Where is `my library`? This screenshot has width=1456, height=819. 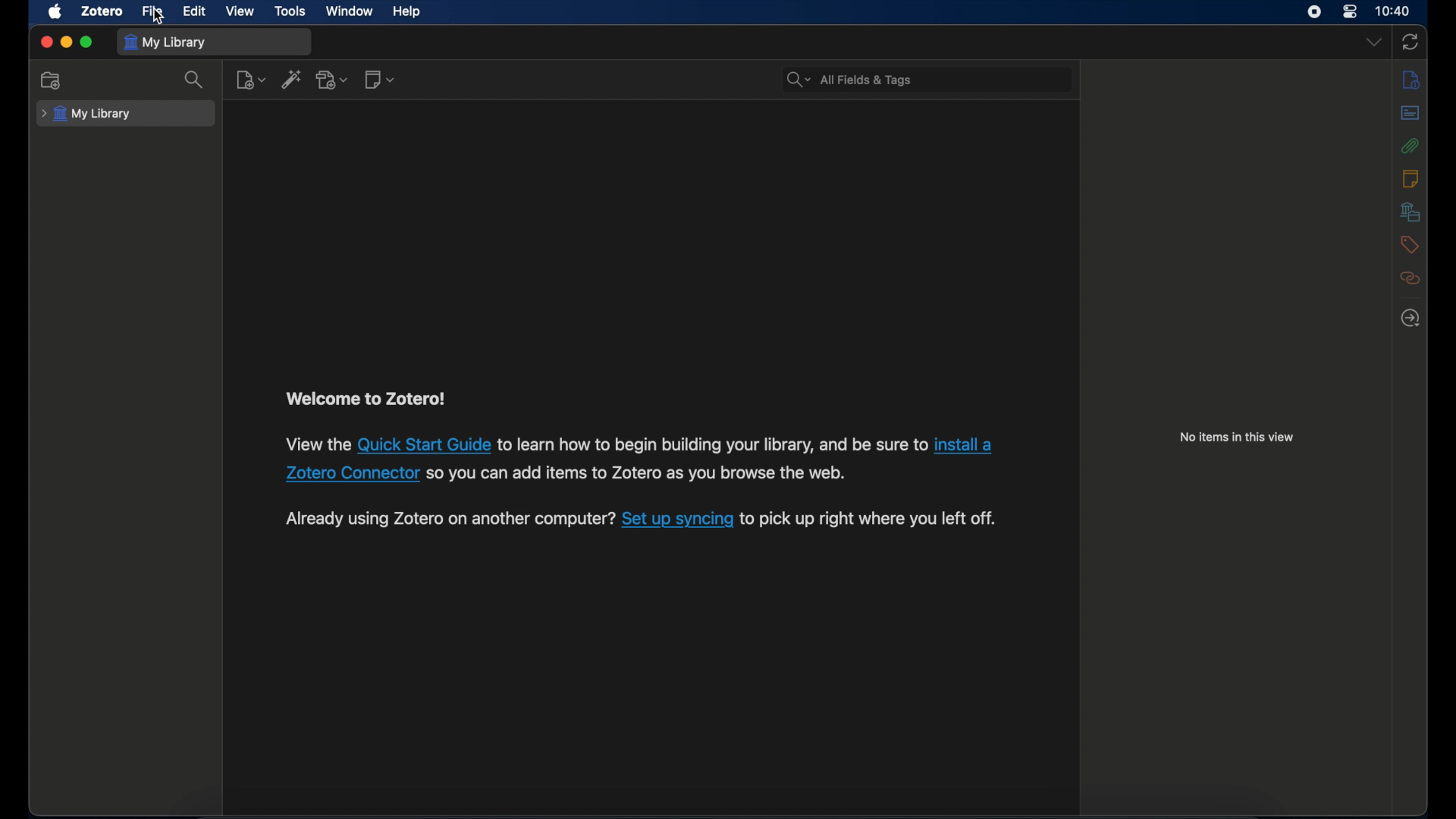 my library is located at coordinates (86, 115).